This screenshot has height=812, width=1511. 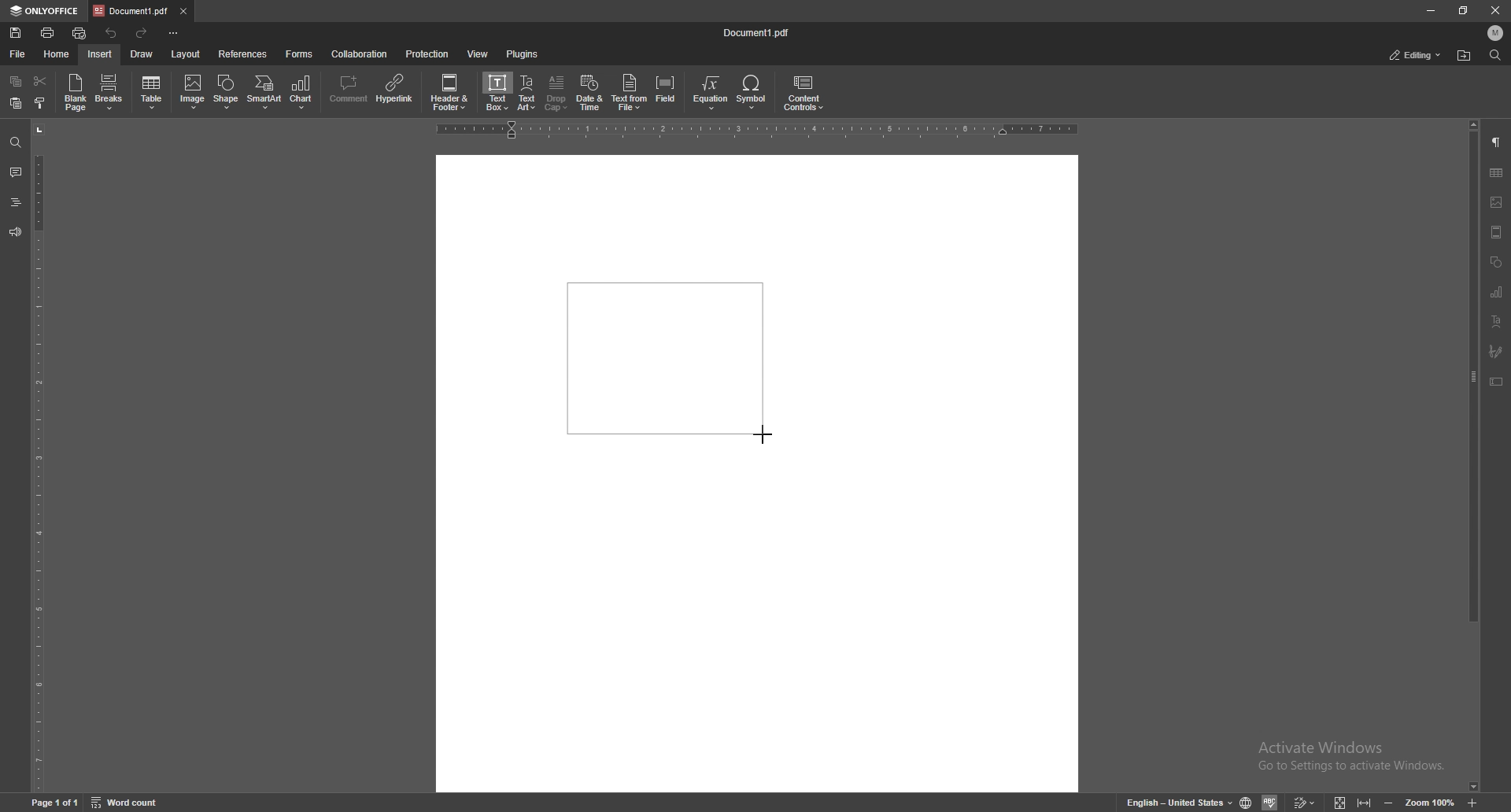 I want to click on plugins, so click(x=523, y=54).